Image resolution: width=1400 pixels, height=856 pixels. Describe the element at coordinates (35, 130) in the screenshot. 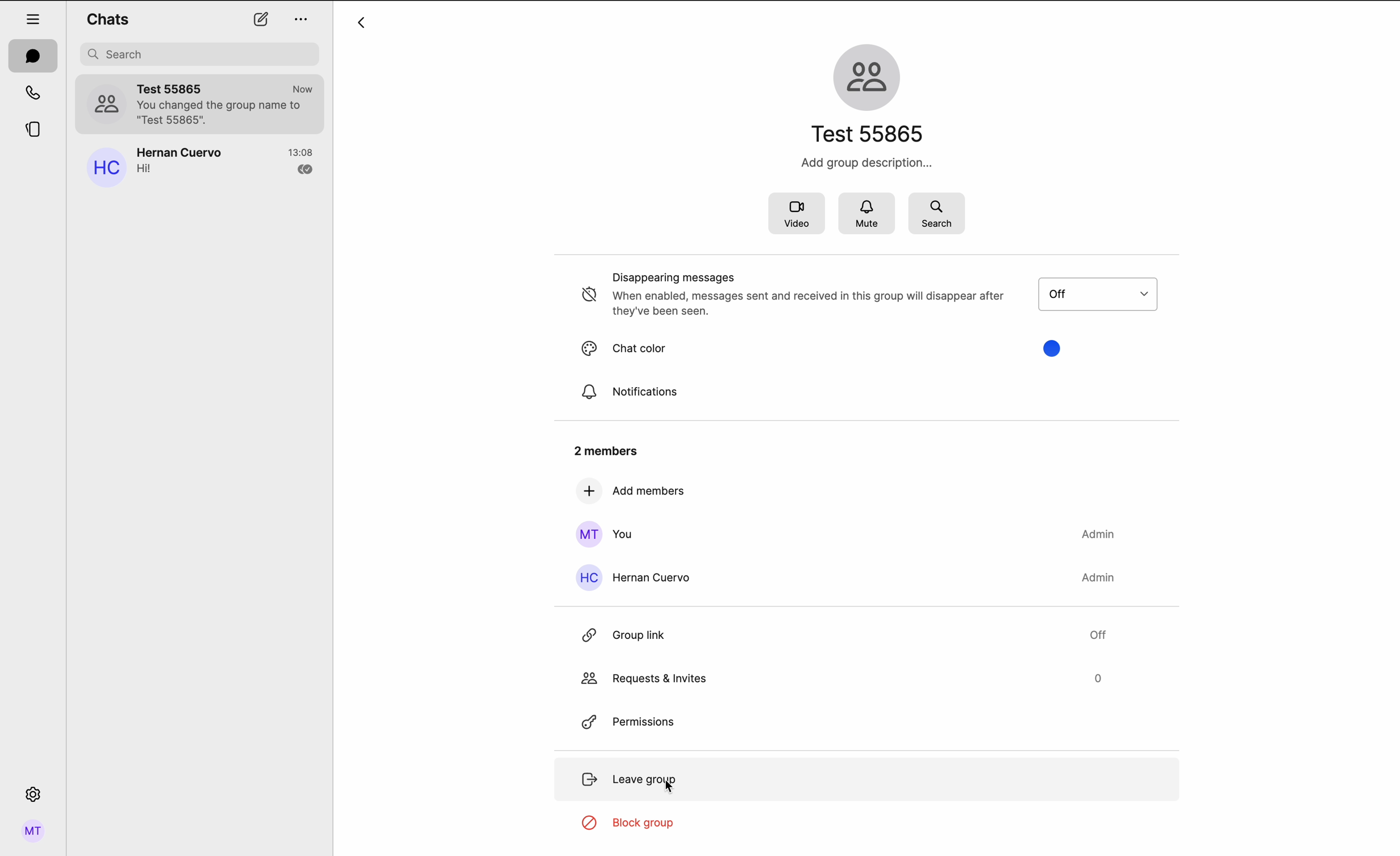

I see `threads` at that location.